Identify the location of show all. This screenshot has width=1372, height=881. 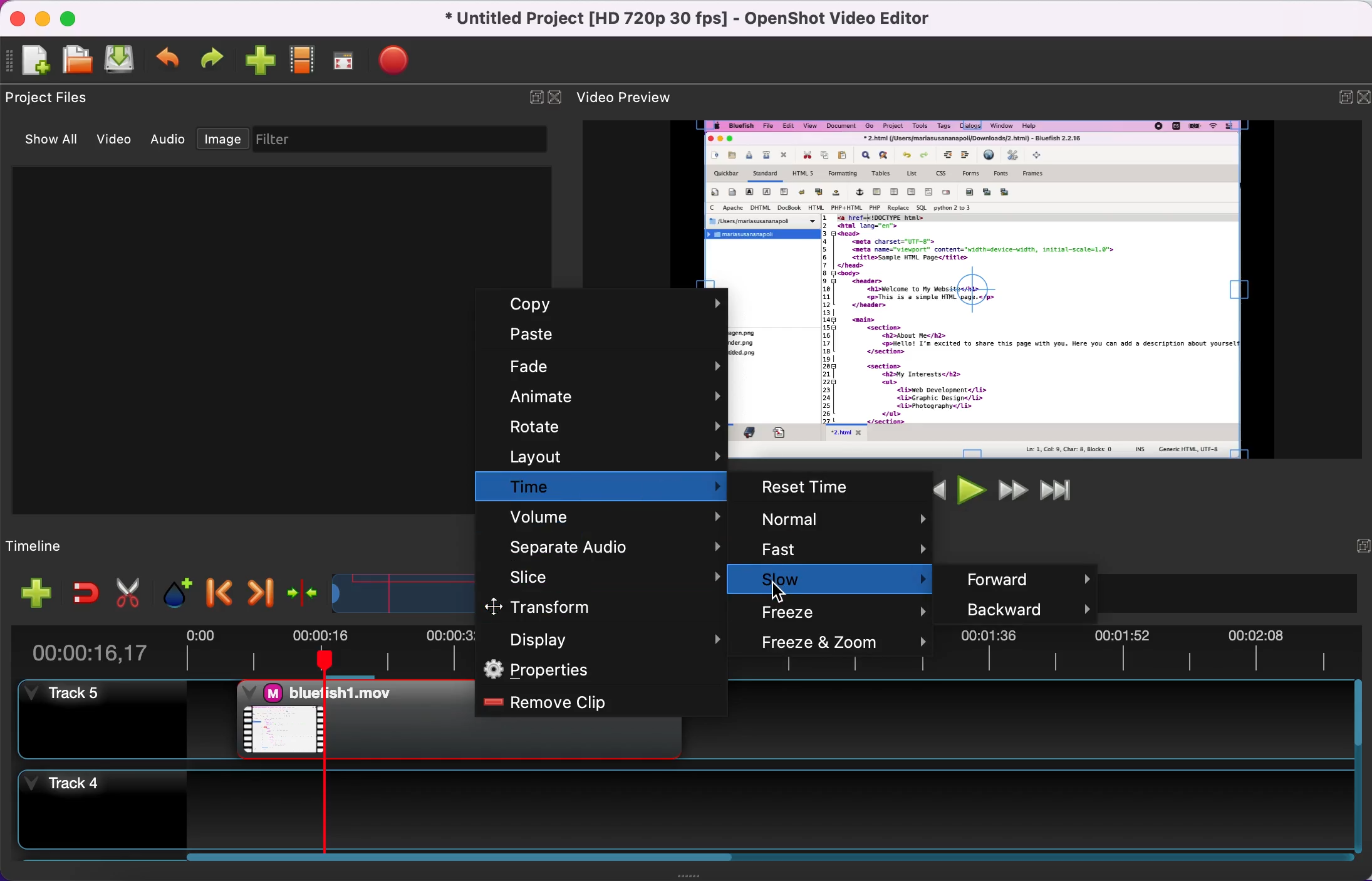
(56, 142).